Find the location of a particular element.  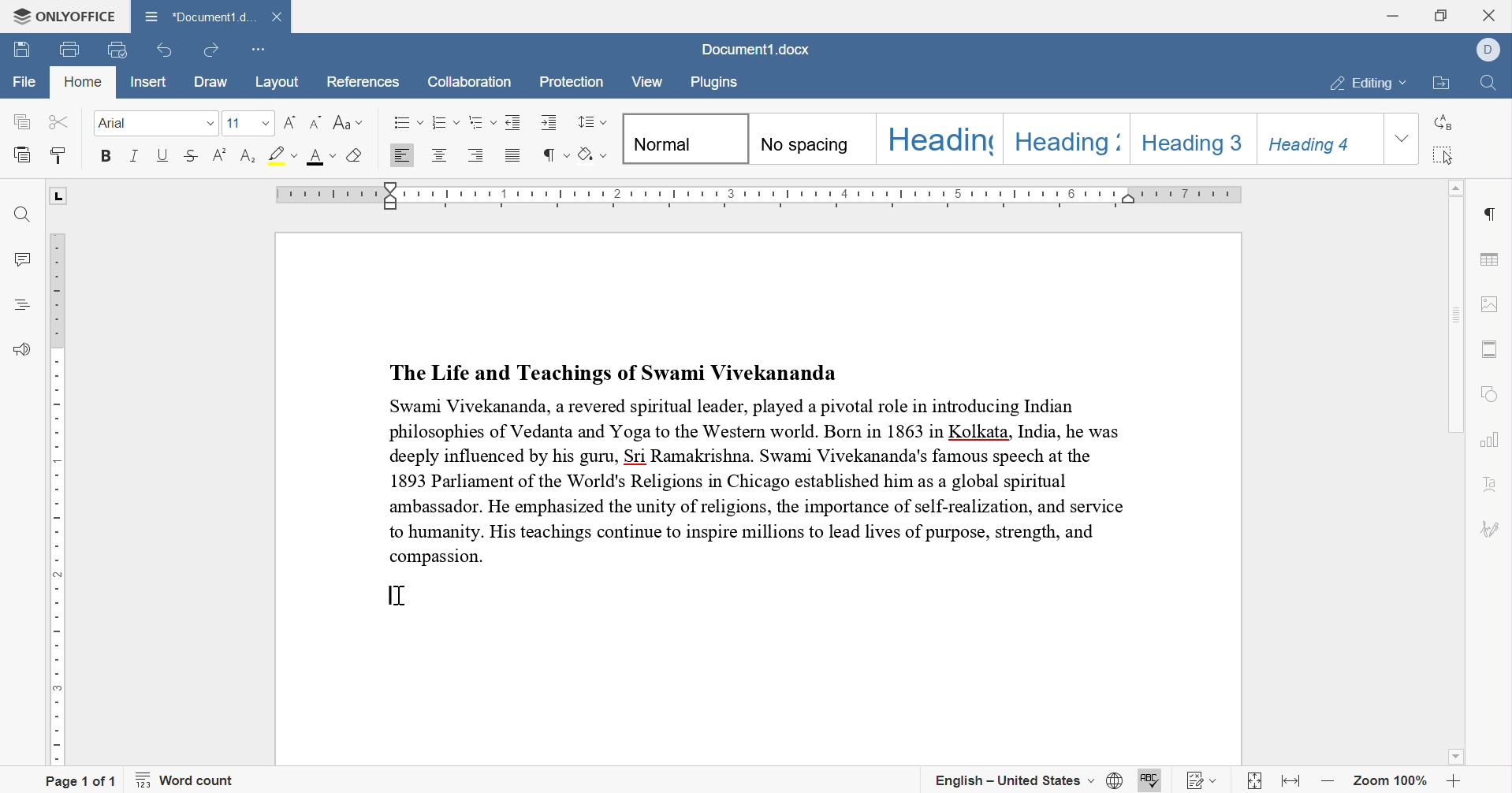

fit to page is located at coordinates (1255, 784).